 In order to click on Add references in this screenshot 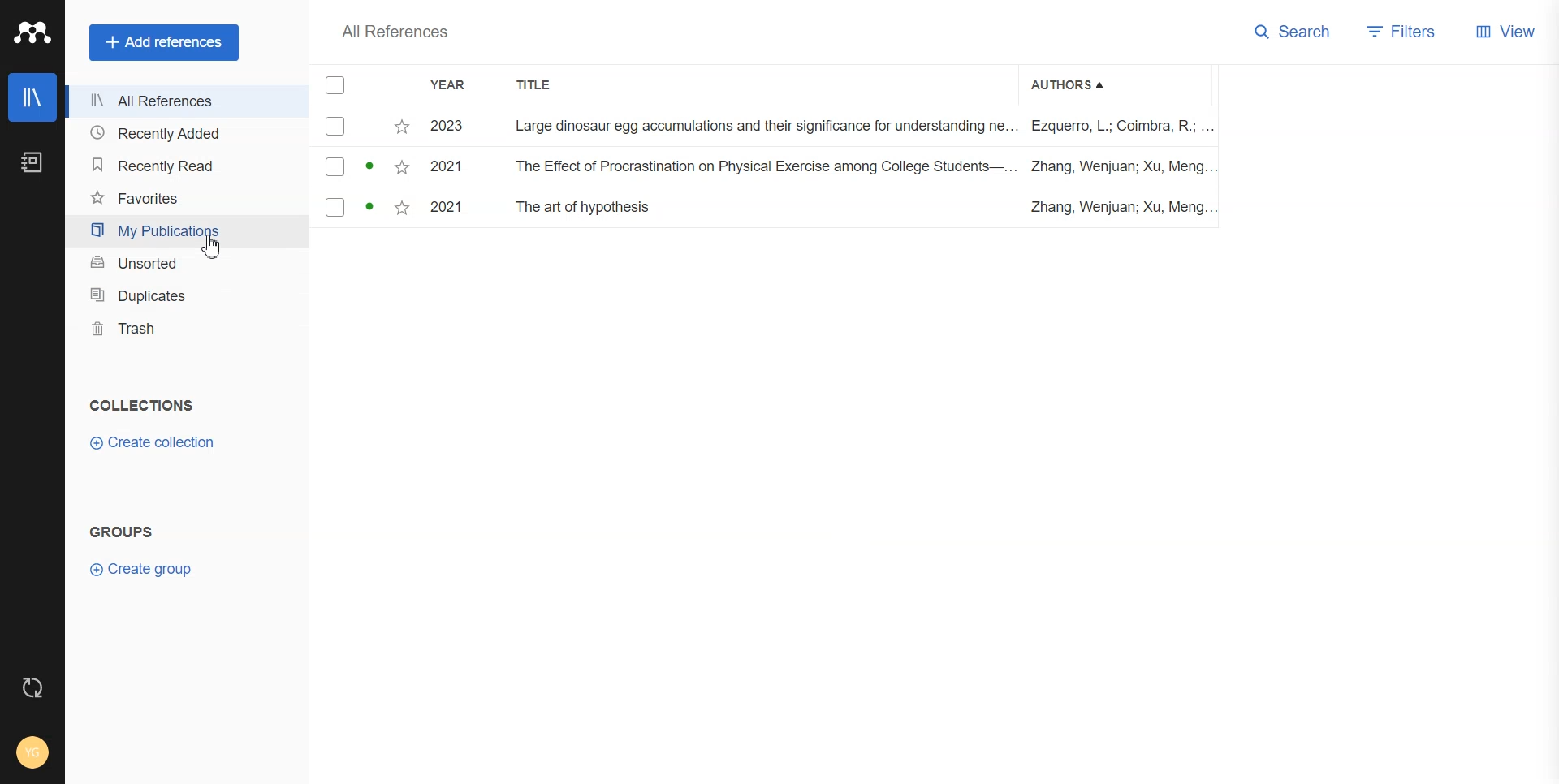, I will do `click(164, 43)`.